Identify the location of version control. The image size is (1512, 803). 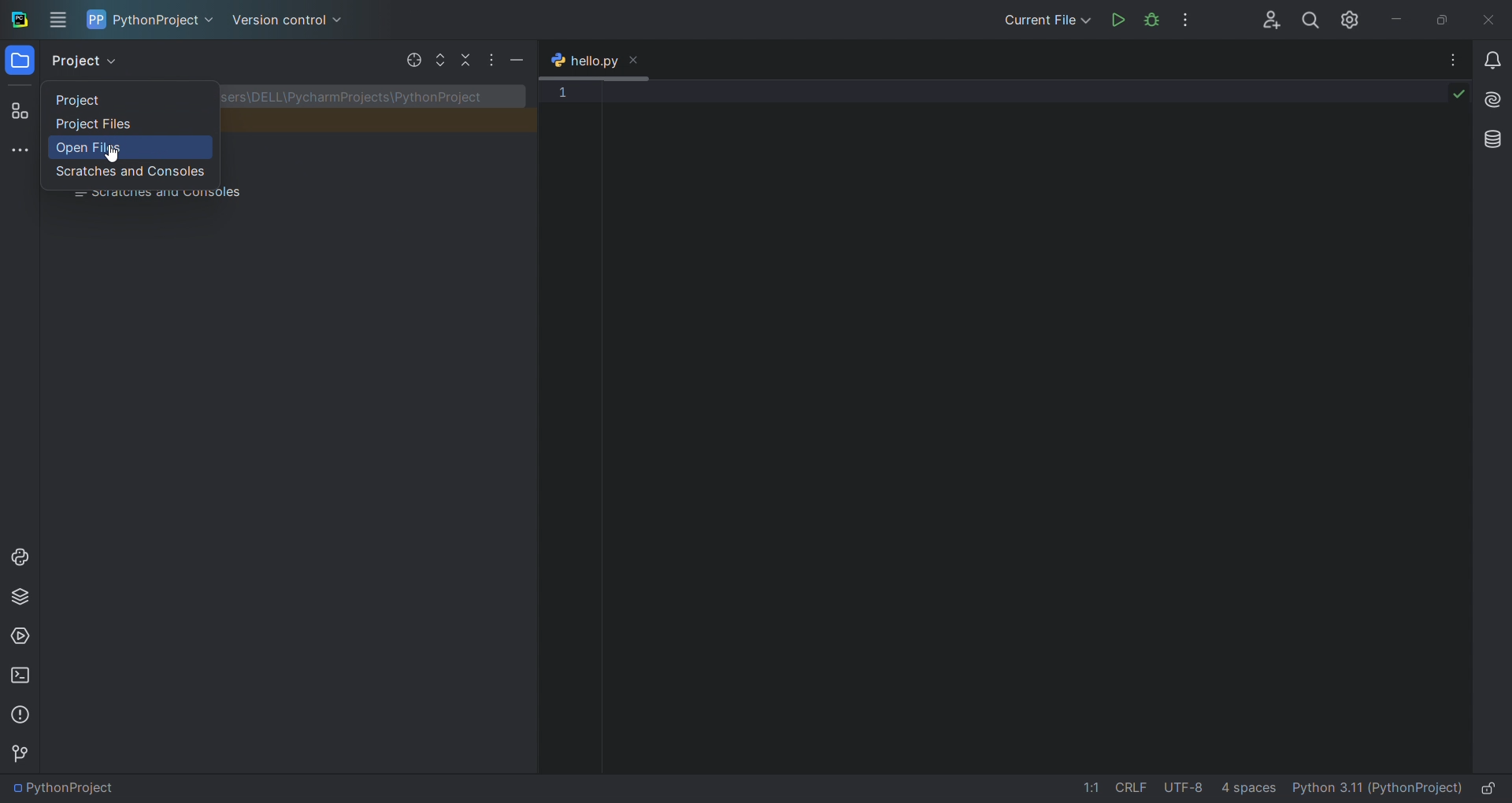
(293, 22).